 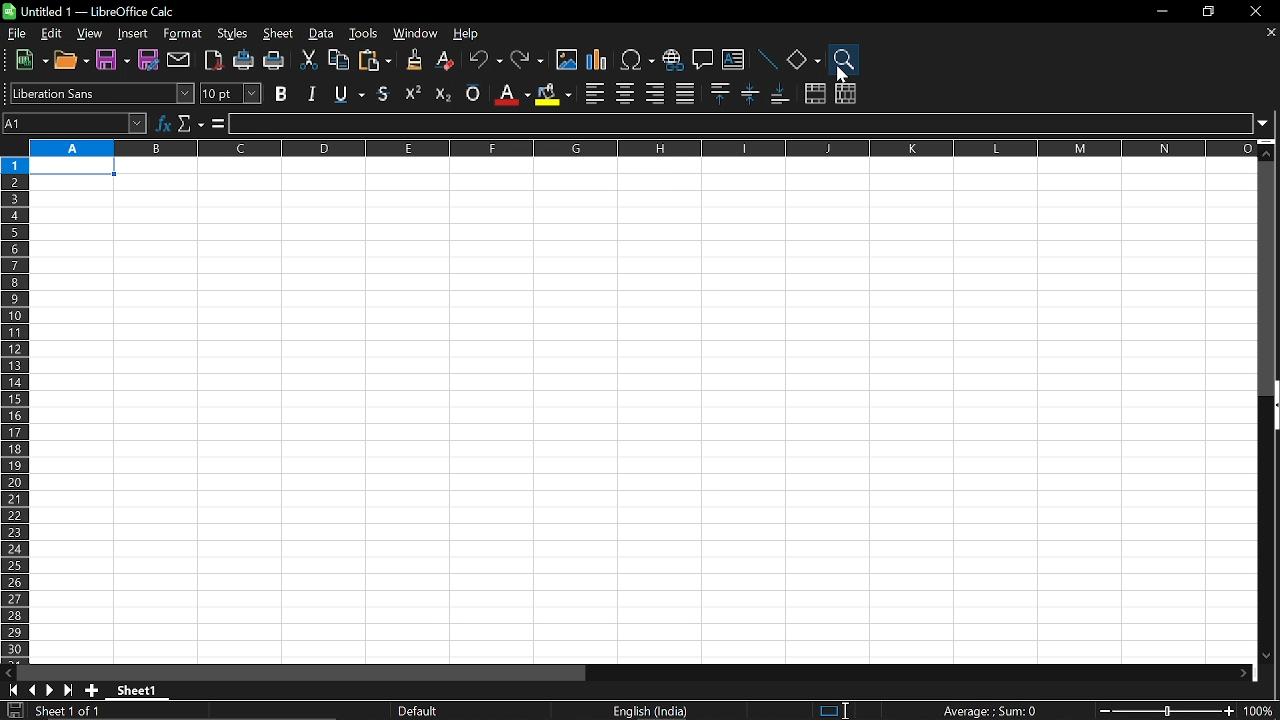 What do you see at coordinates (1267, 153) in the screenshot?
I see `Move up` at bounding box center [1267, 153].